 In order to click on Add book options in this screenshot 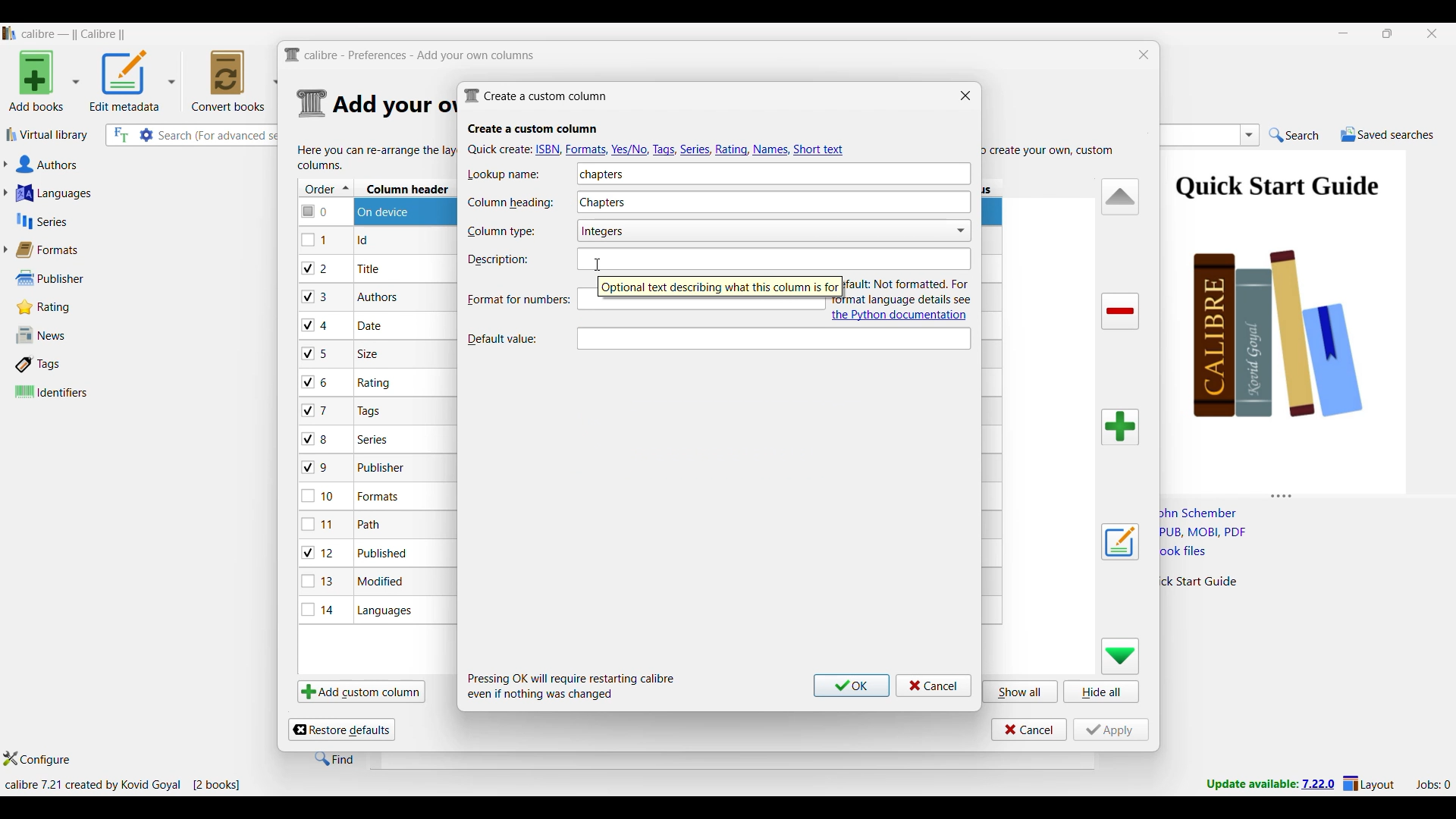, I will do `click(45, 80)`.